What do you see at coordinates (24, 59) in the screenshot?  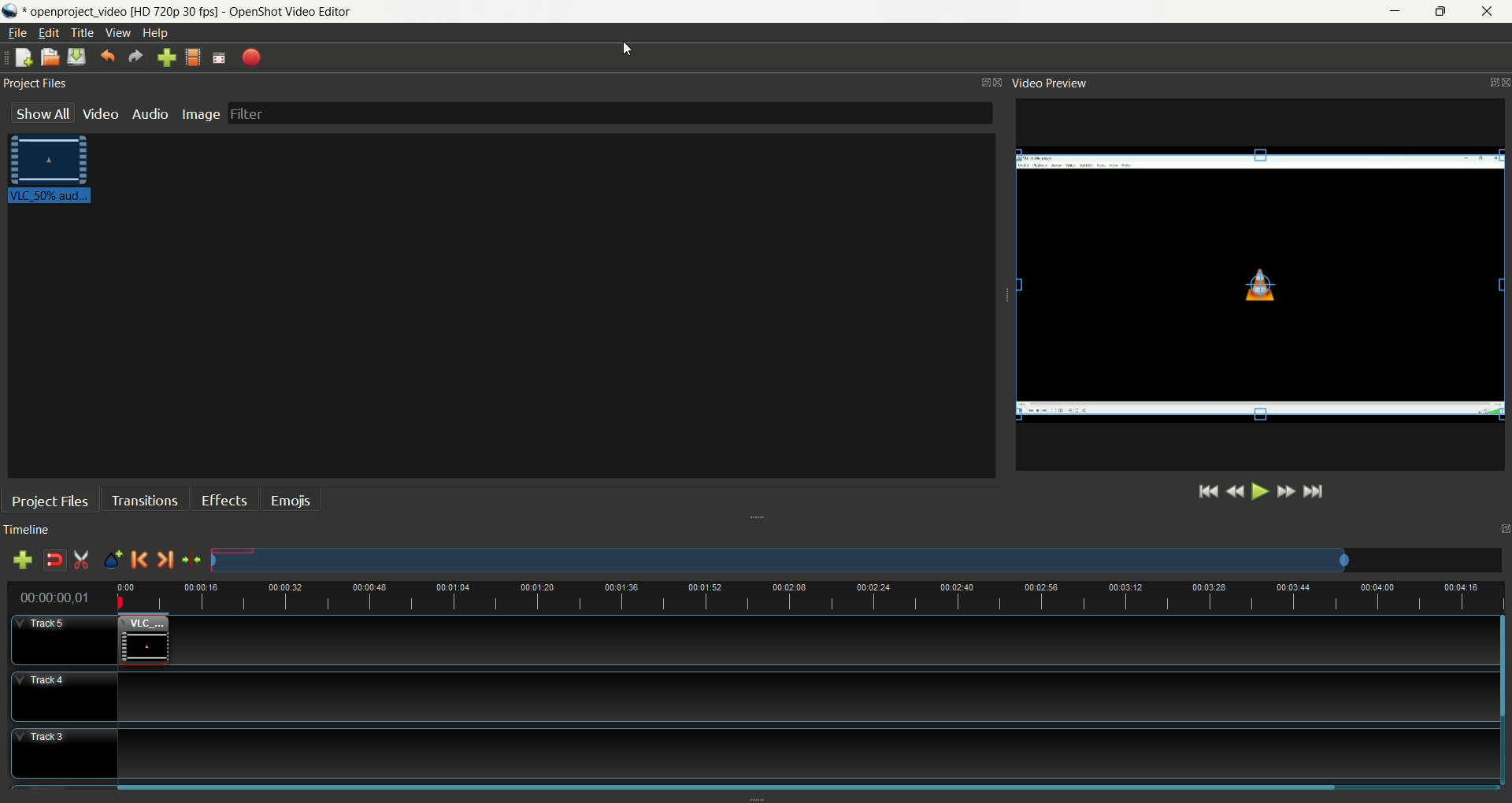 I see `new project` at bounding box center [24, 59].